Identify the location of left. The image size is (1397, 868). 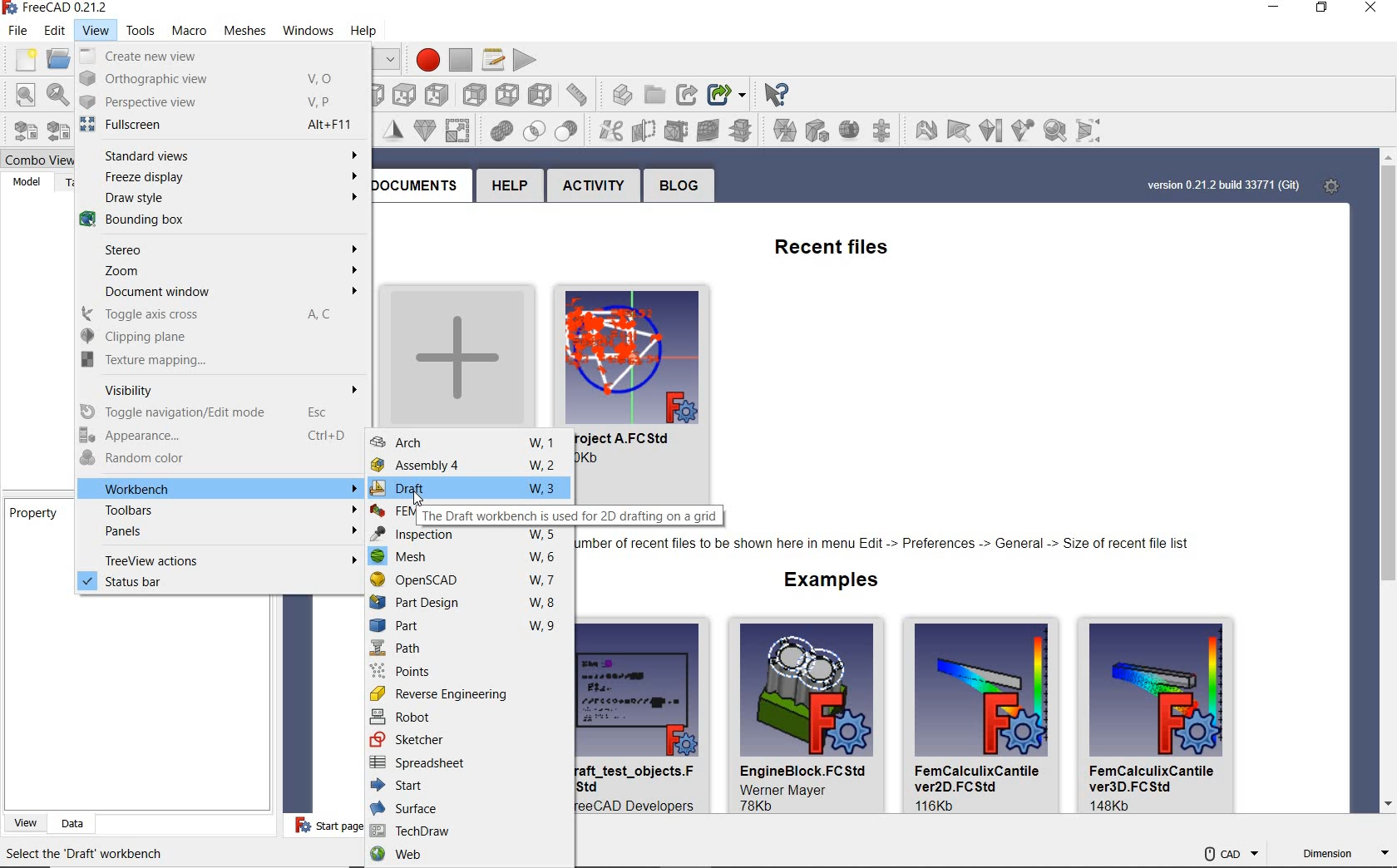
(507, 93).